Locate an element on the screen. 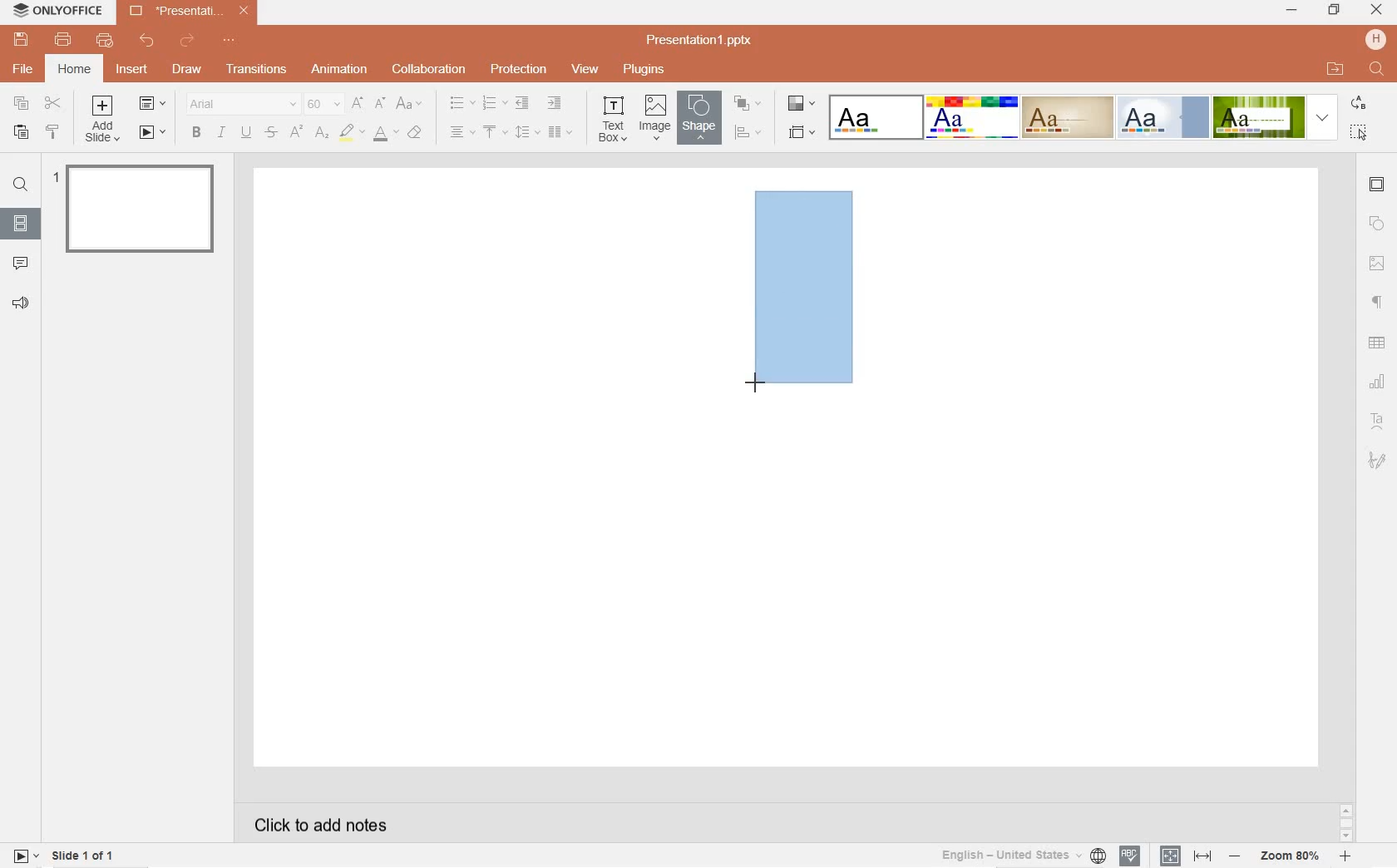 The height and width of the screenshot is (868, 1397). copy is located at coordinates (22, 103).